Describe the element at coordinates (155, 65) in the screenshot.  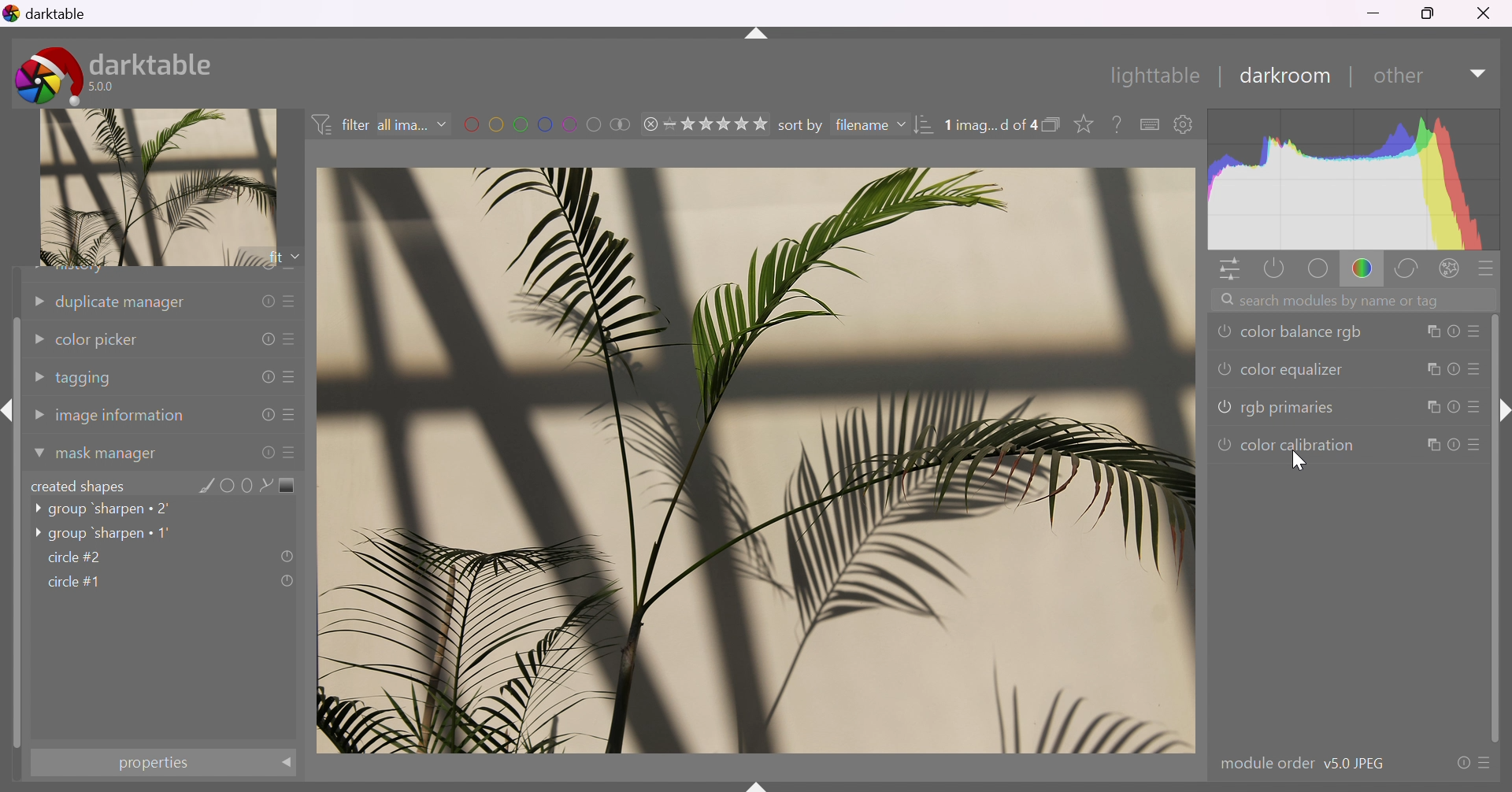
I see `darktable` at that location.